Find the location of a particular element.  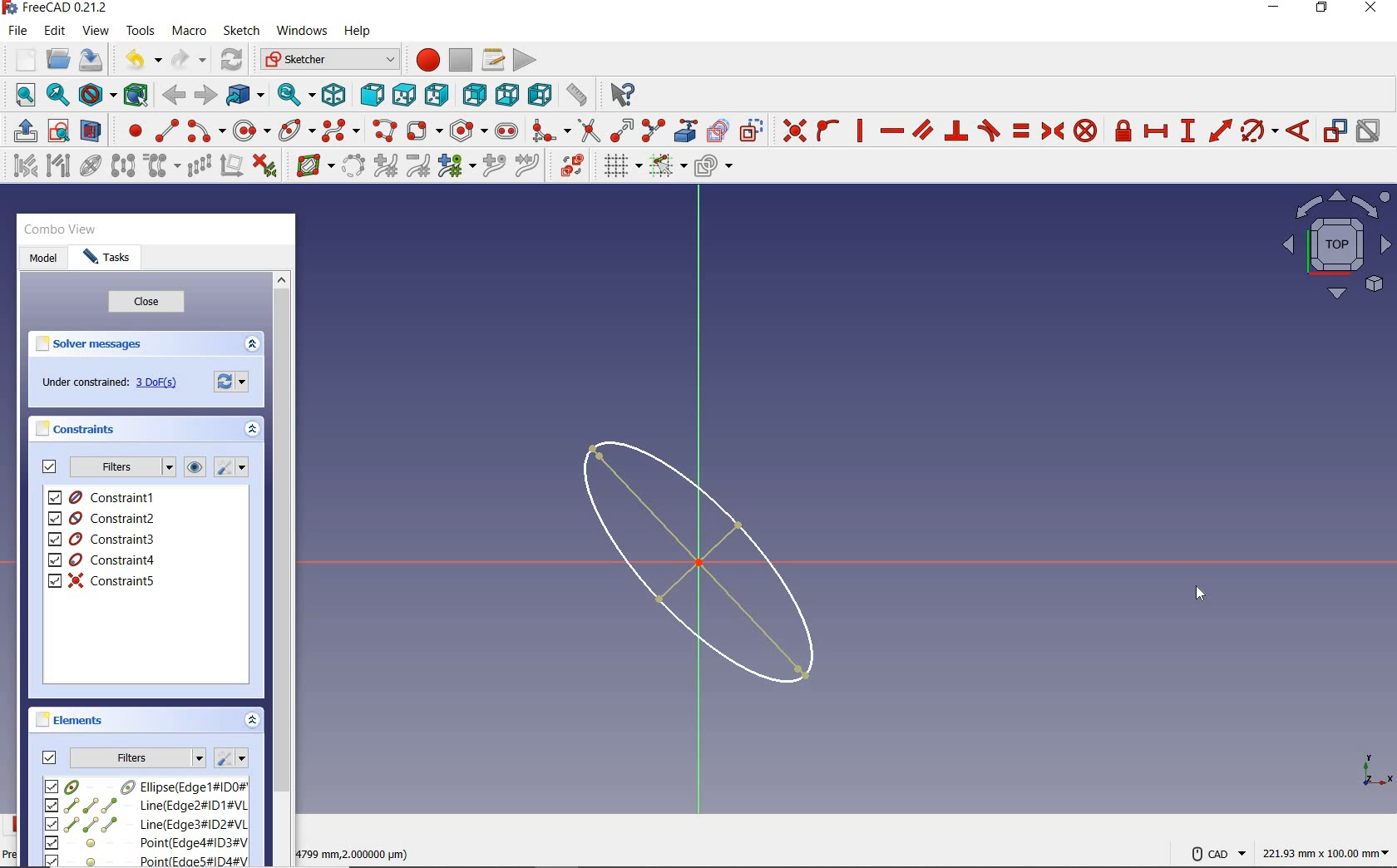

create line is located at coordinates (166, 131).